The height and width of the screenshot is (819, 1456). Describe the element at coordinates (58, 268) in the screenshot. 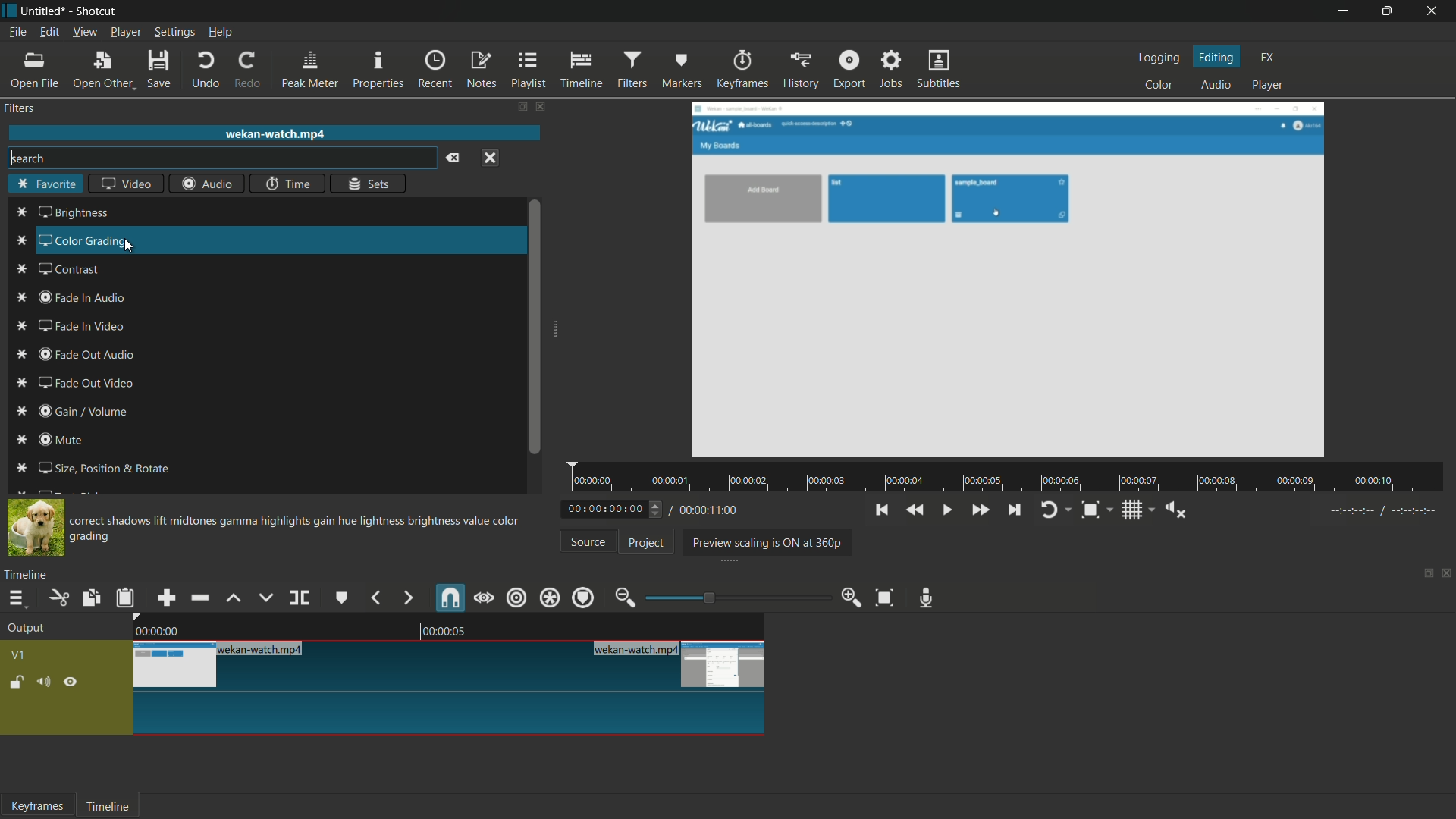

I see `contrast` at that location.